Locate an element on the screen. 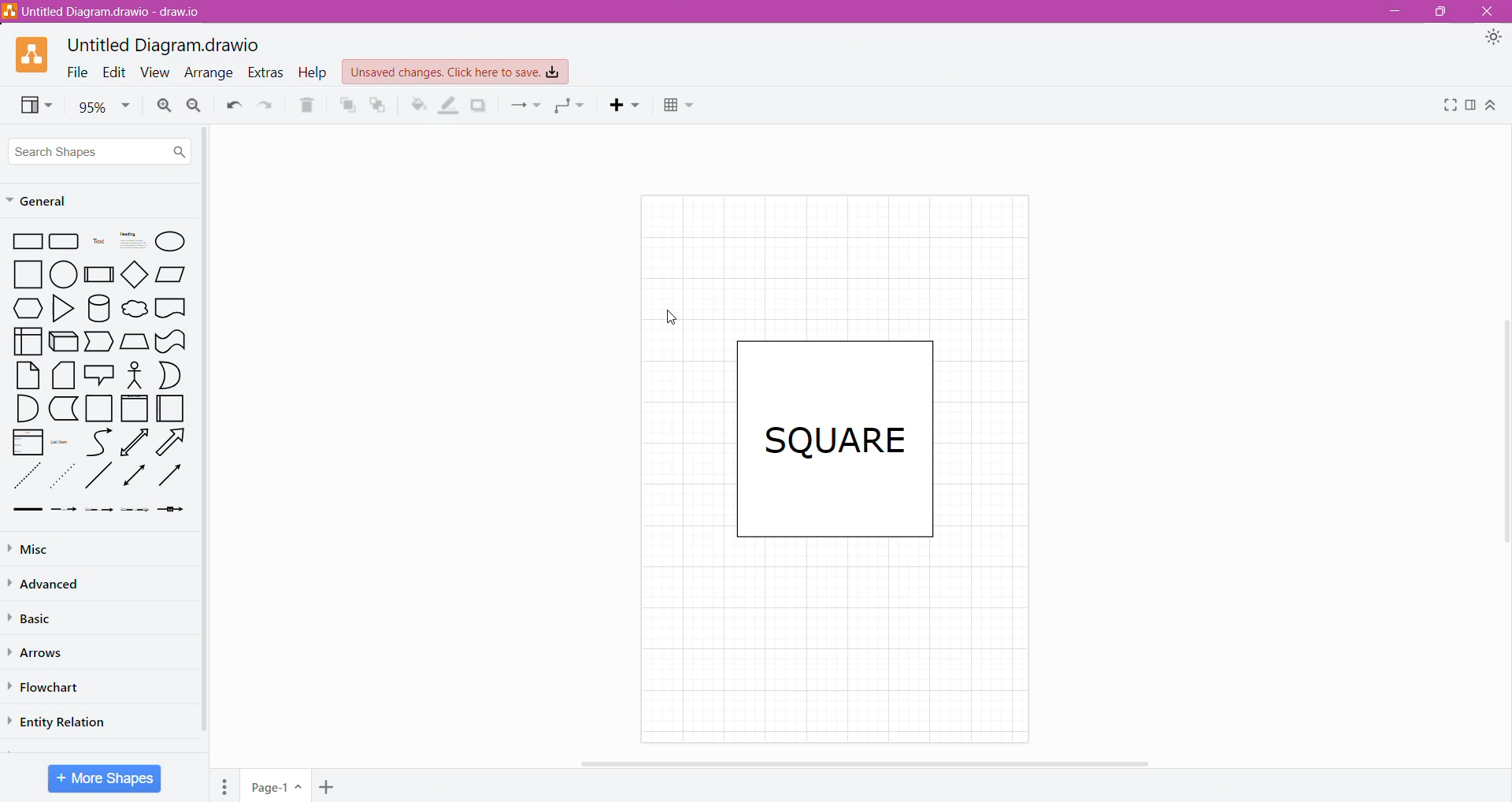 This screenshot has height=802, width=1512. Expand/Collapse is located at coordinates (1493, 109).